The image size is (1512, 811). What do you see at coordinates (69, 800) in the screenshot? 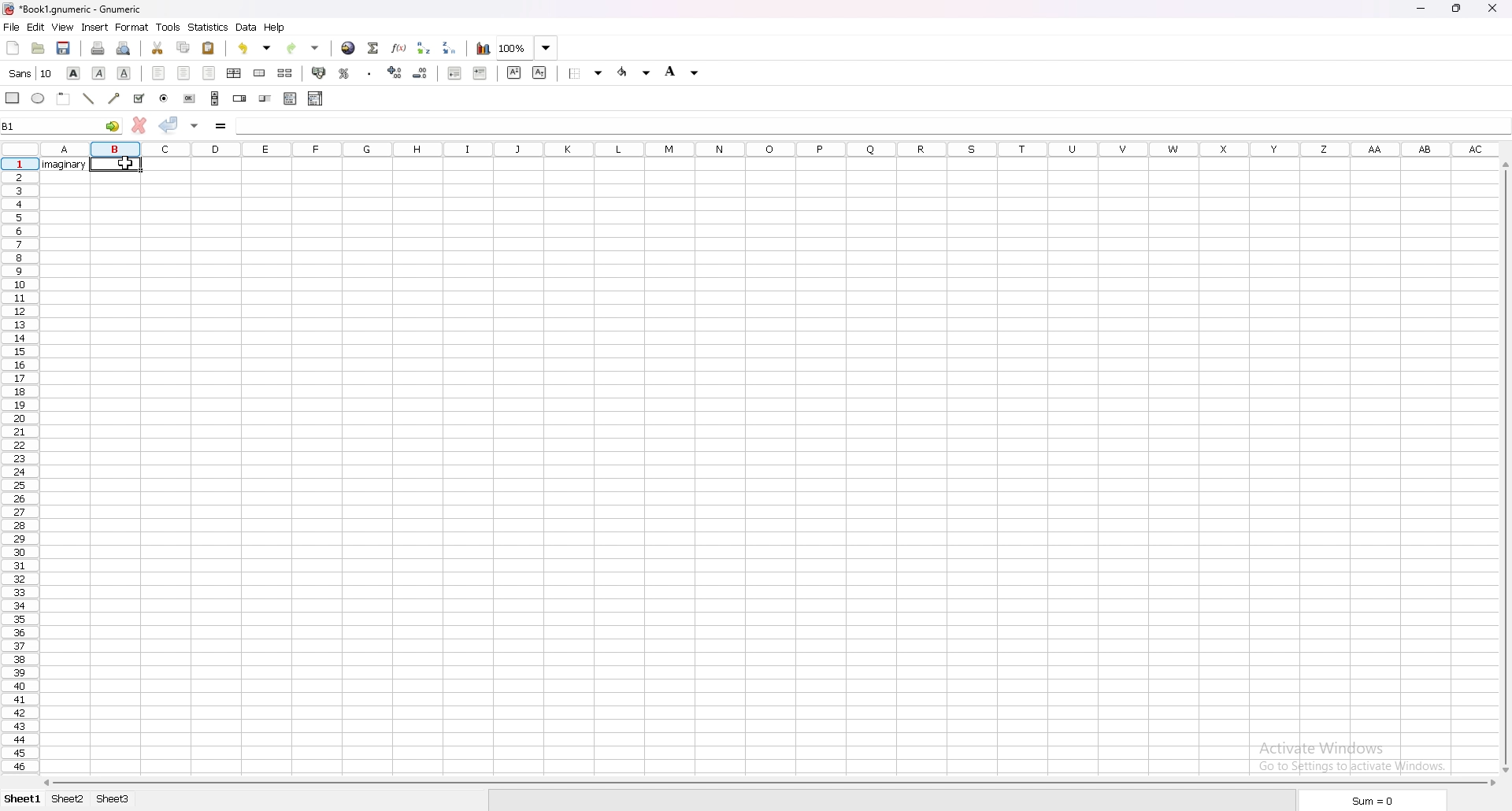
I see `sheet 2` at bounding box center [69, 800].